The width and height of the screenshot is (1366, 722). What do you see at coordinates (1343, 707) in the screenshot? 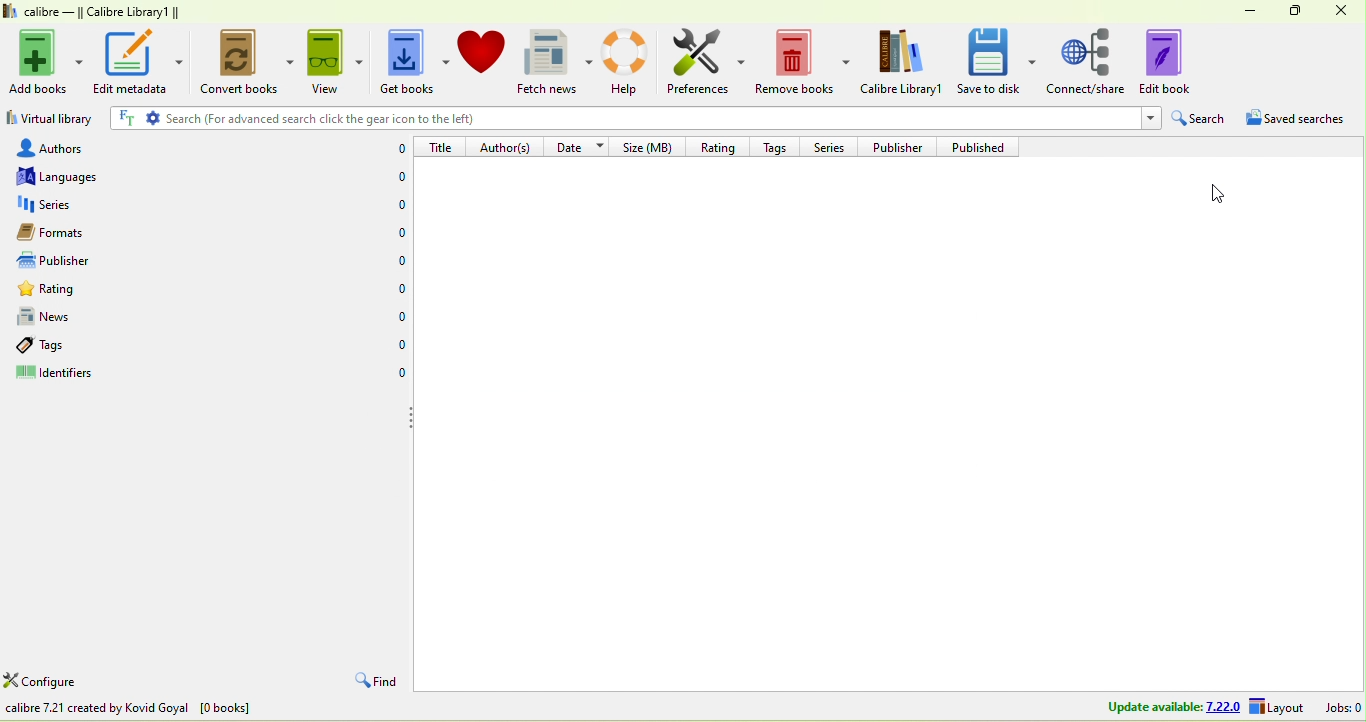
I see `jobs 0` at bounding box center [1343, 707].